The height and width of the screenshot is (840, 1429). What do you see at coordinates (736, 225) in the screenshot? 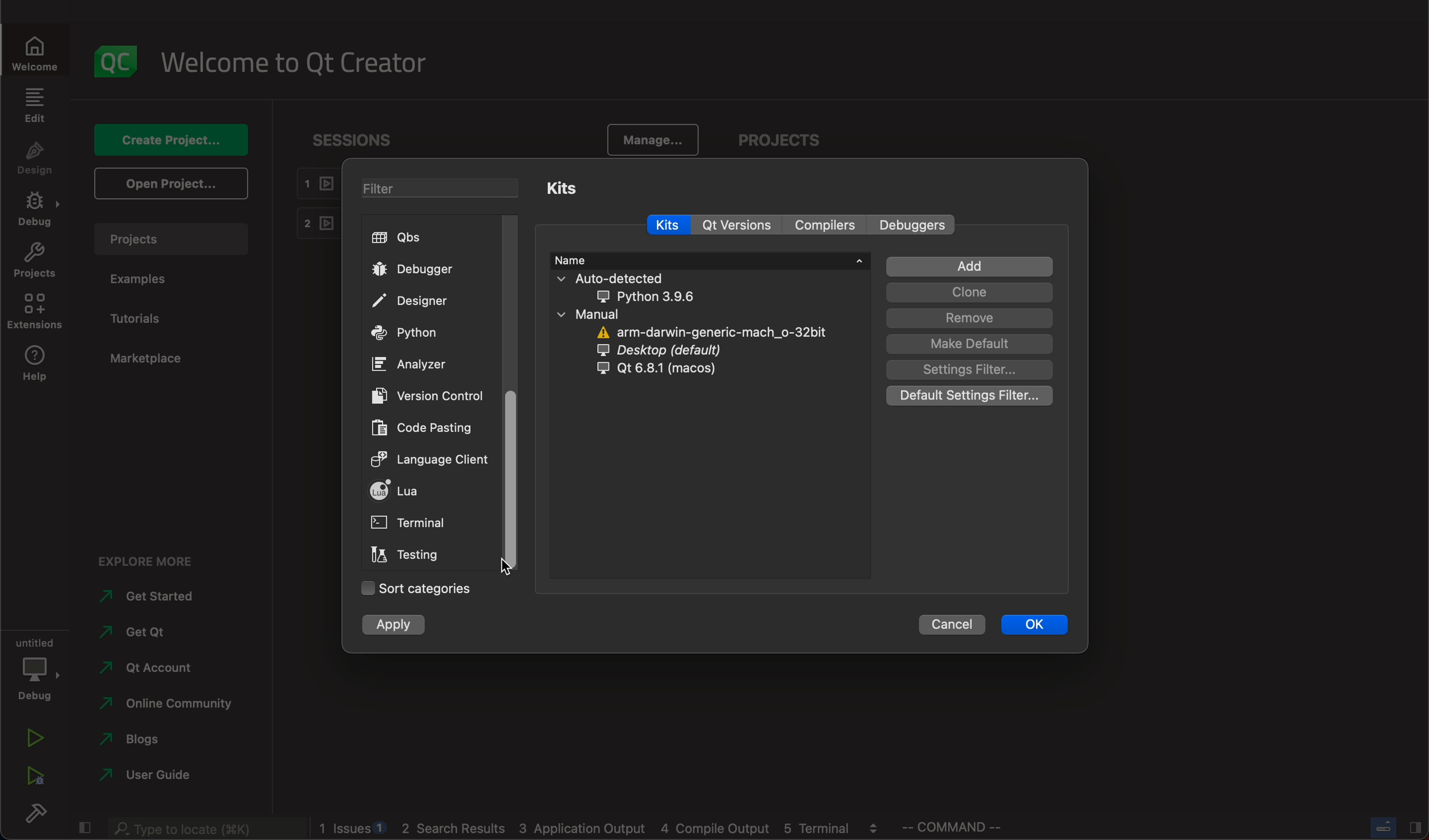
I see `qt` at bounding box center [736, 225].